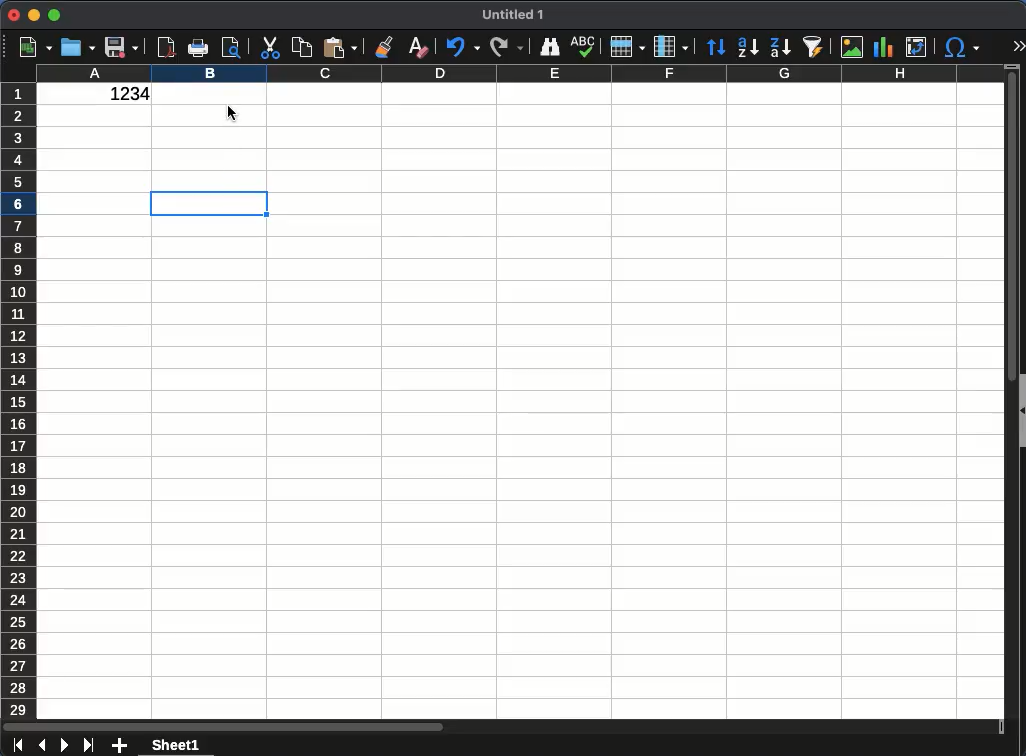 Image resolution: width=1026 pixels, height=756 pixels. What do you see at coordinates (519, 75) in the screenshot?
I see `columns` at bounding box center [519, 75].